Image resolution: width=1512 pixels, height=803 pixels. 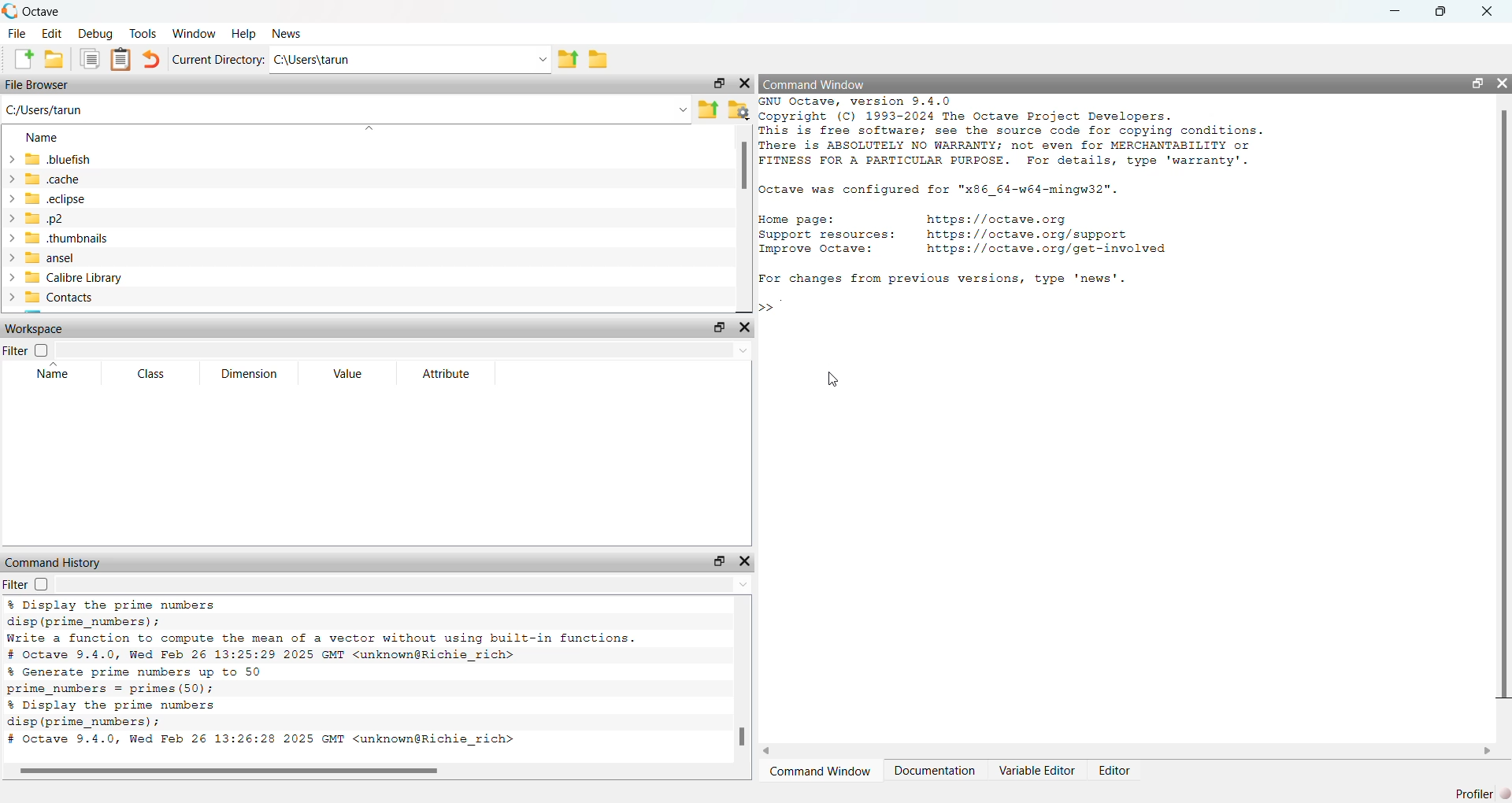 What do you see at coordinates (1488, 12) in the screenshot?
I see `close` at bounding box center [1488, 12].